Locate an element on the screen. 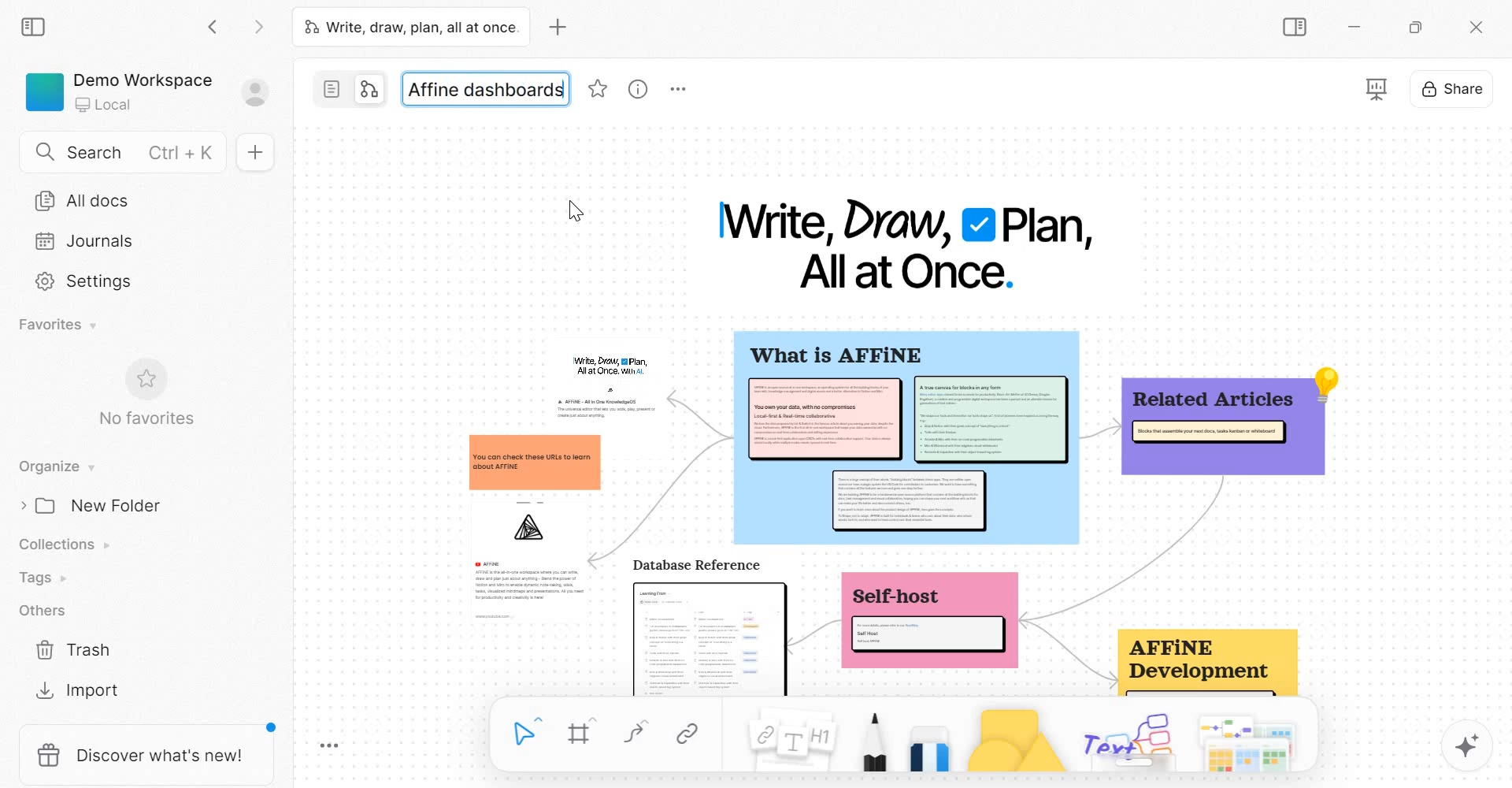 The width and height of the screenshot is (1512, 788). All docs is located at coordinates (138, 200).